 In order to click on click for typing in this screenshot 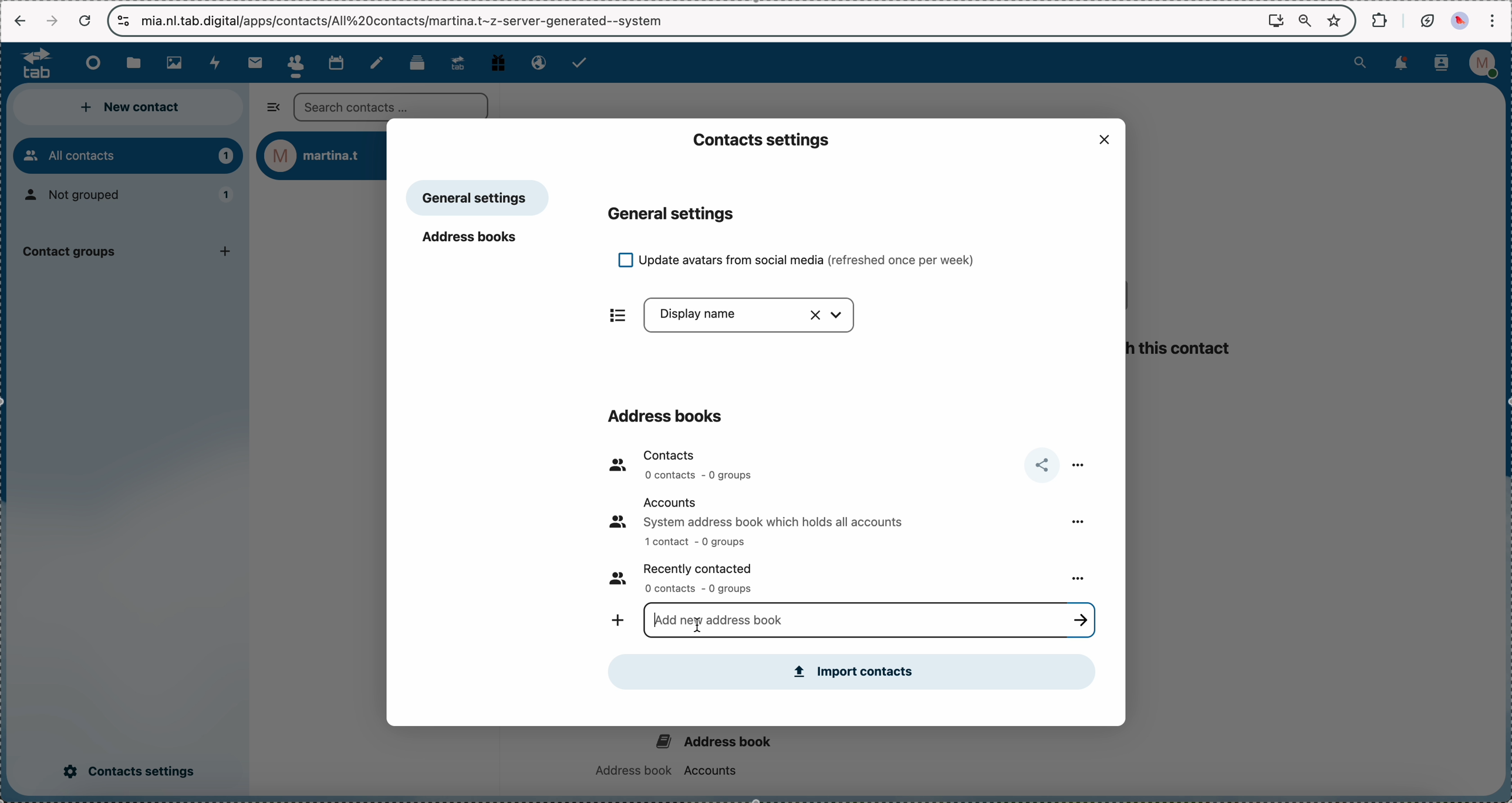, I will do `click(866, 620)`.